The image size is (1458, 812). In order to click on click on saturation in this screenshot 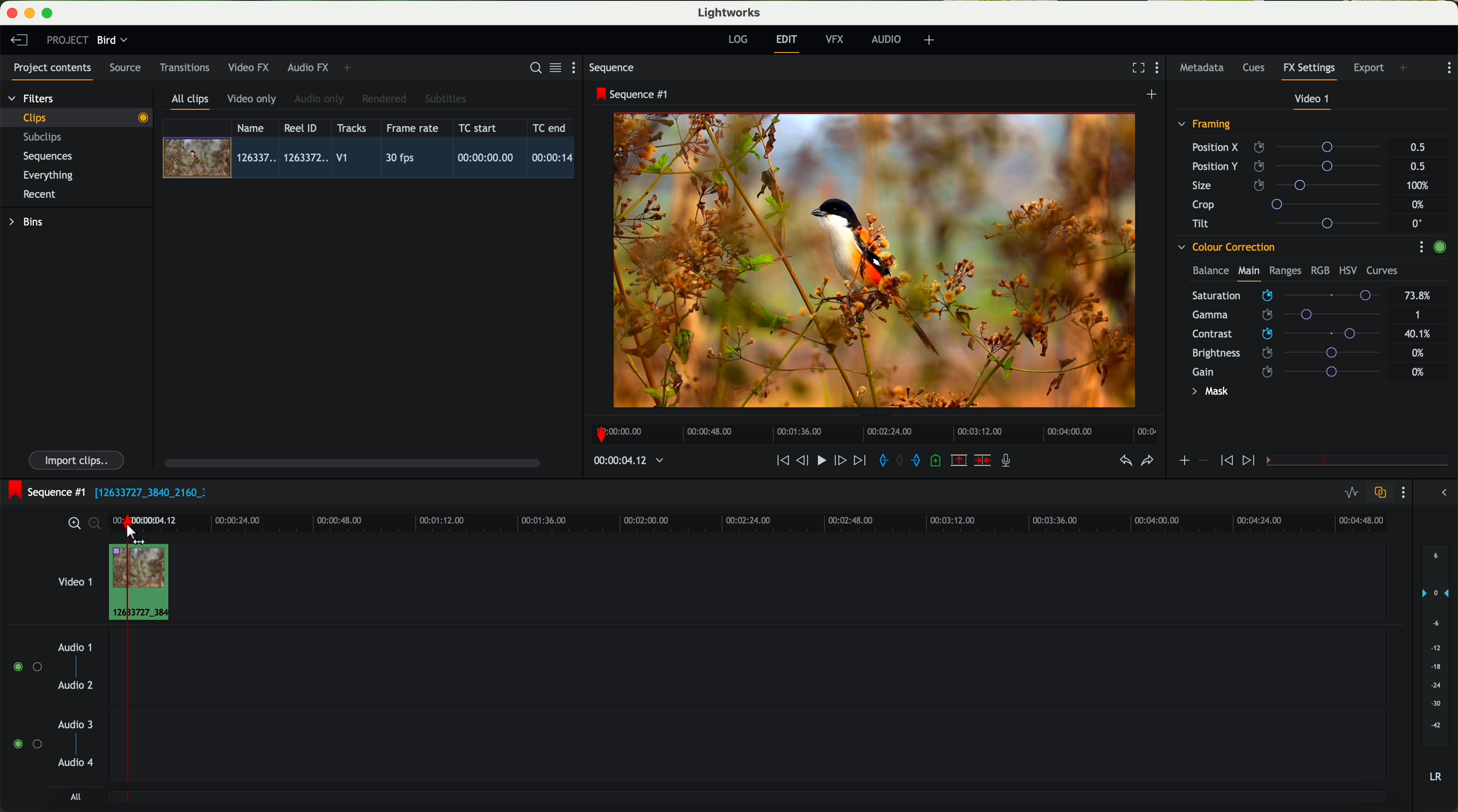, I will do `click(1280, 316)`.